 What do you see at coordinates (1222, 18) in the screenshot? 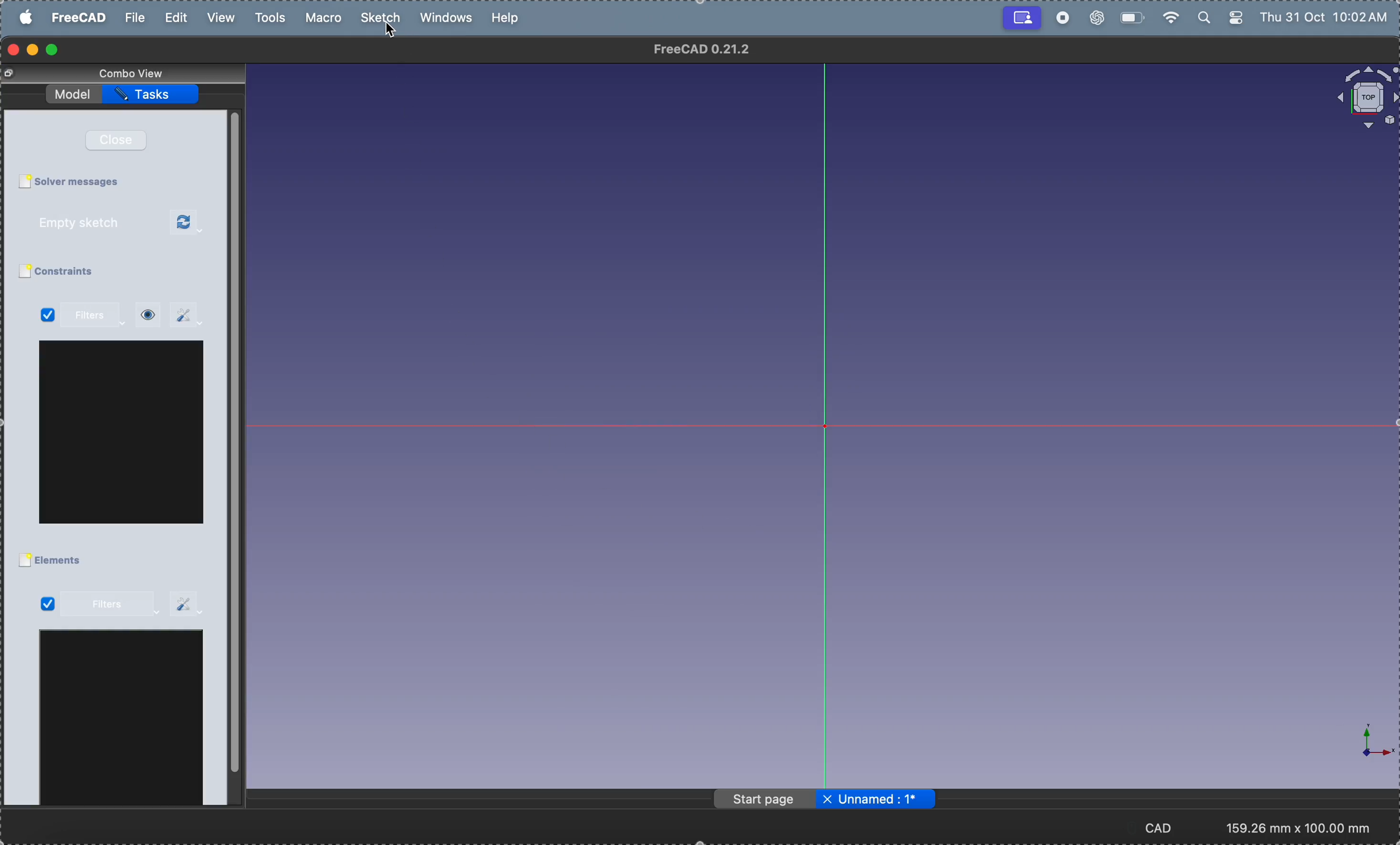
I see `apple widgets` at bounding box center [1222, 18].